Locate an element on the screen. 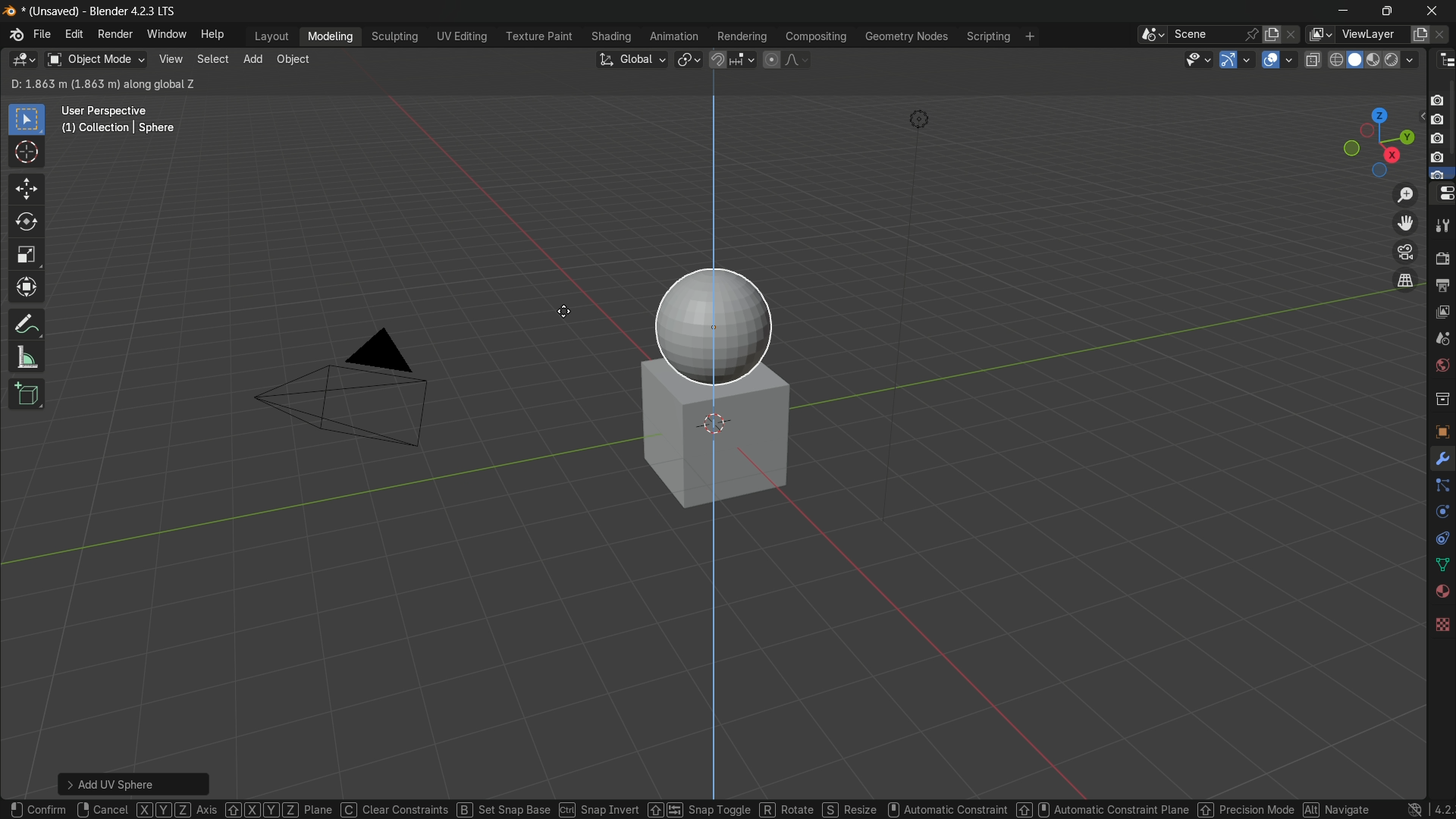 This screenshot has height=819, width=1456. Automatic Constraint is located at coordinates (832, 810).